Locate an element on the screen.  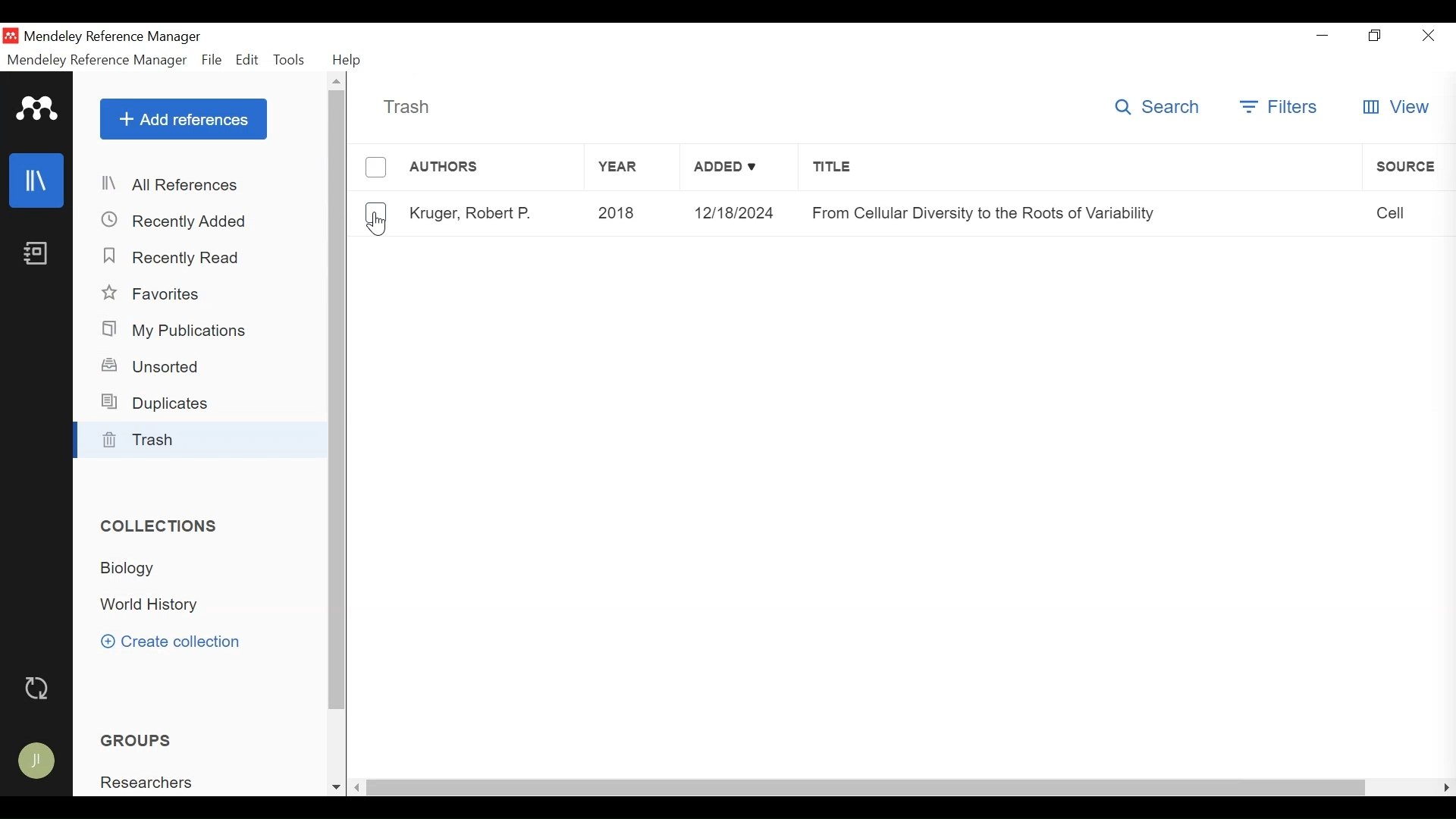
Search is located at coordinates (1158, 107).